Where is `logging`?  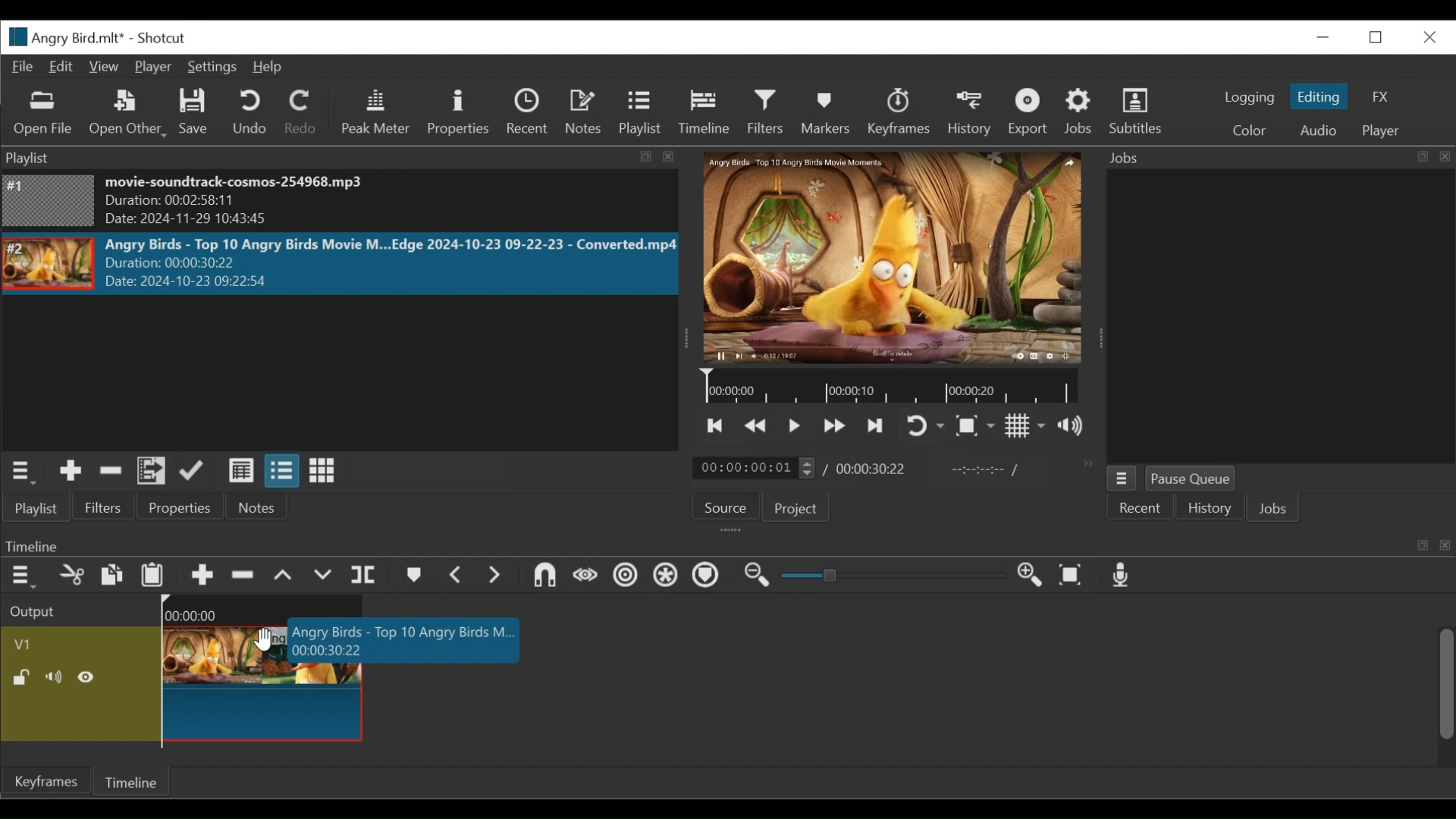
logging is located at coordinates (1250, 97).